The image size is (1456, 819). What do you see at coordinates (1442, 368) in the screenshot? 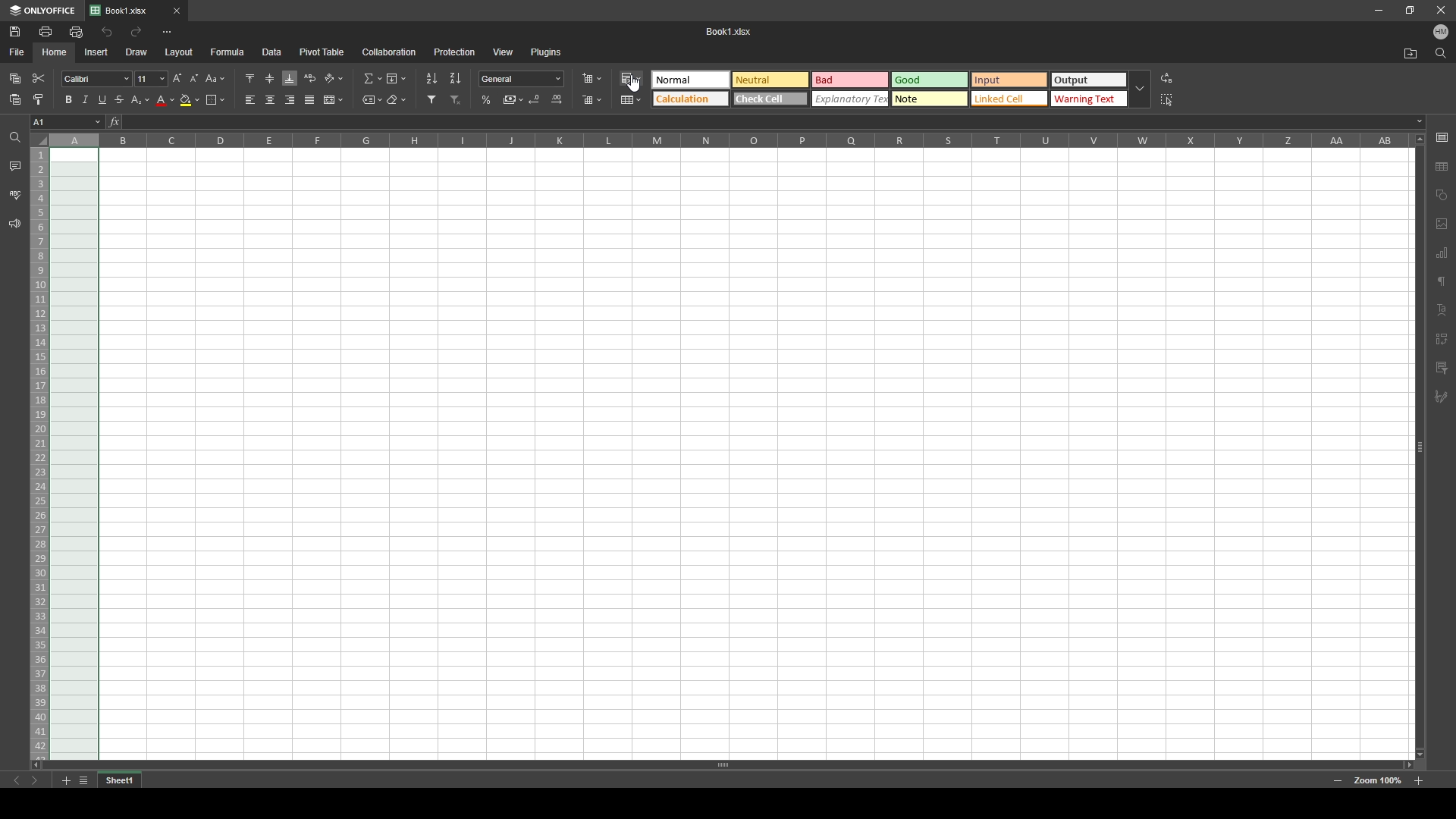
I see `comment` at bounding box center [1442, 368].